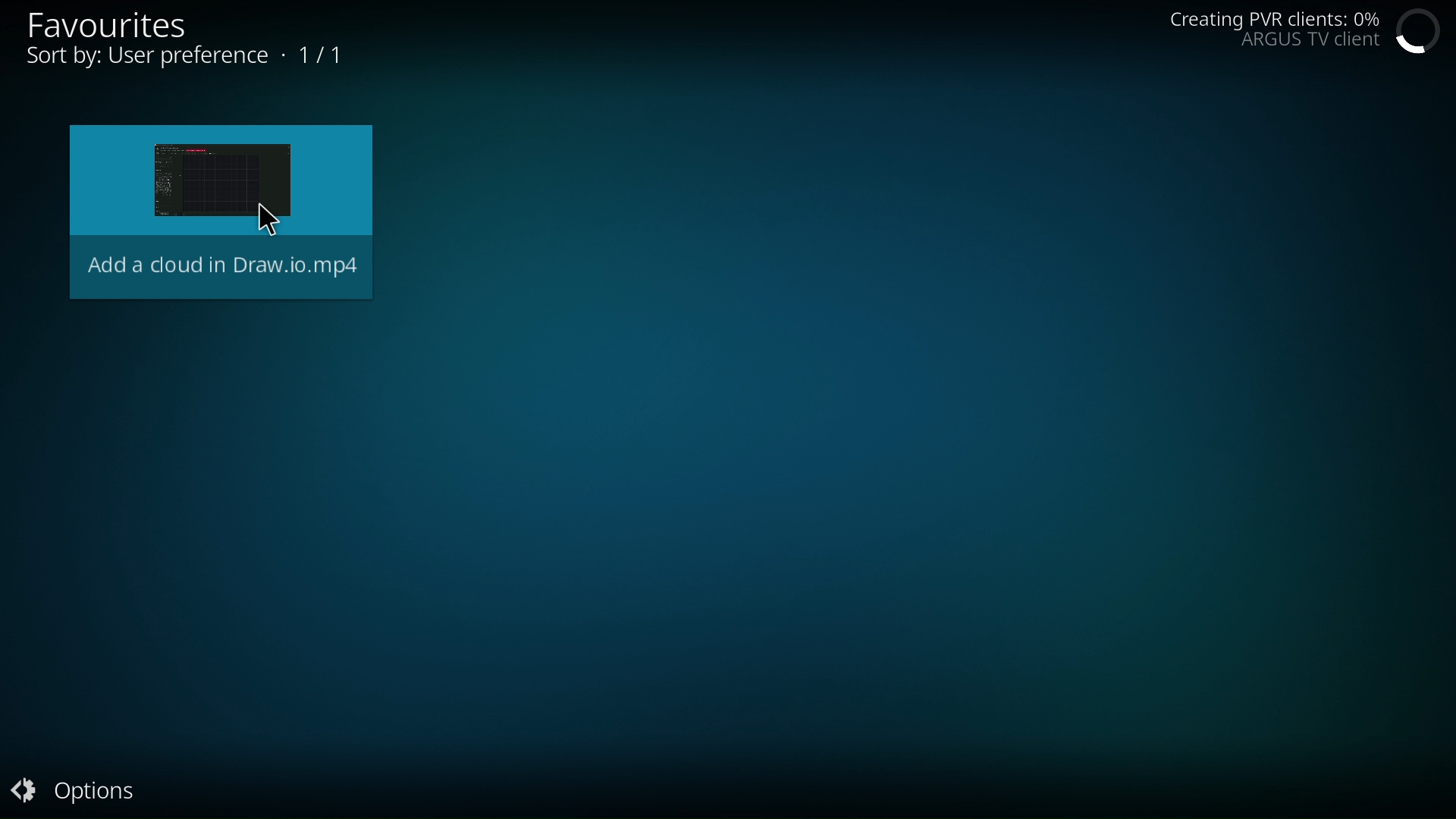  Describe the element at coordinates (192, 56) in the screenshot. I see `Sort by: User preference - 1/1` at that location.